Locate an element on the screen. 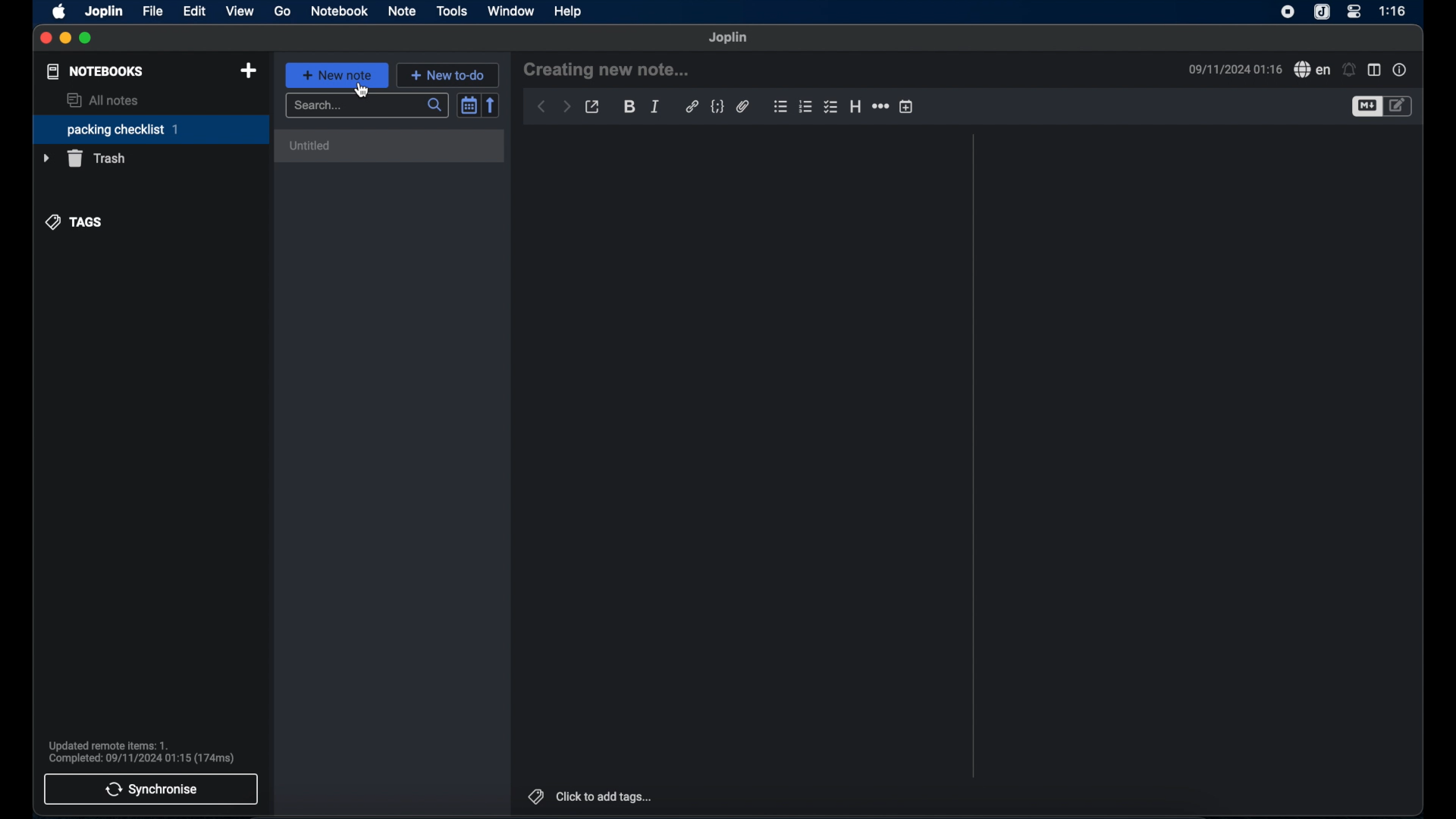 The width and height of the screenshot is (1456, 819). new notebook is located at coordinates (248, 71).